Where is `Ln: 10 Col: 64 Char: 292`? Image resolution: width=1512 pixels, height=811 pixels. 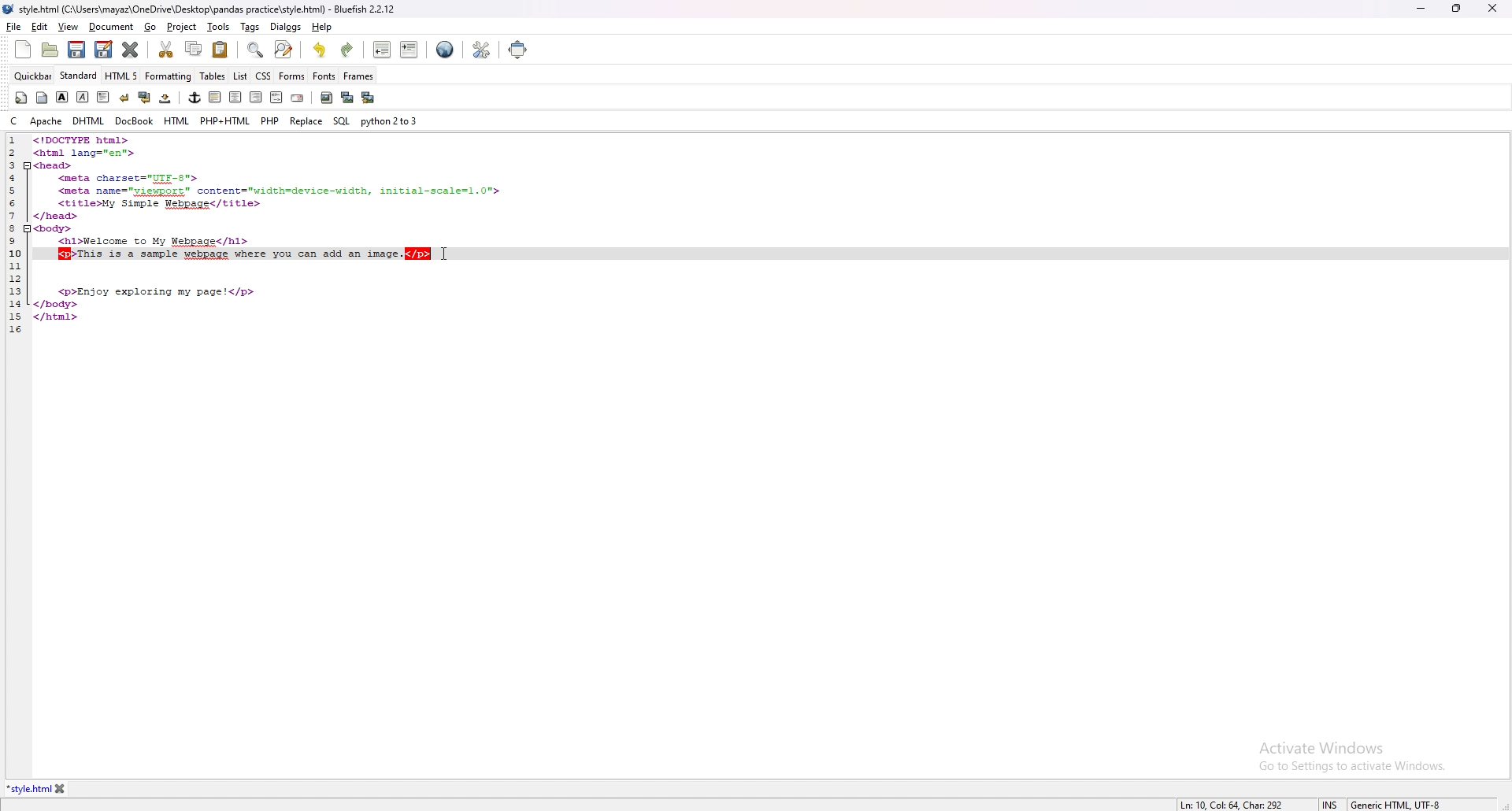
Ln: 10 Col: 64 Char: 292 is located at coordinates (1233, 804).